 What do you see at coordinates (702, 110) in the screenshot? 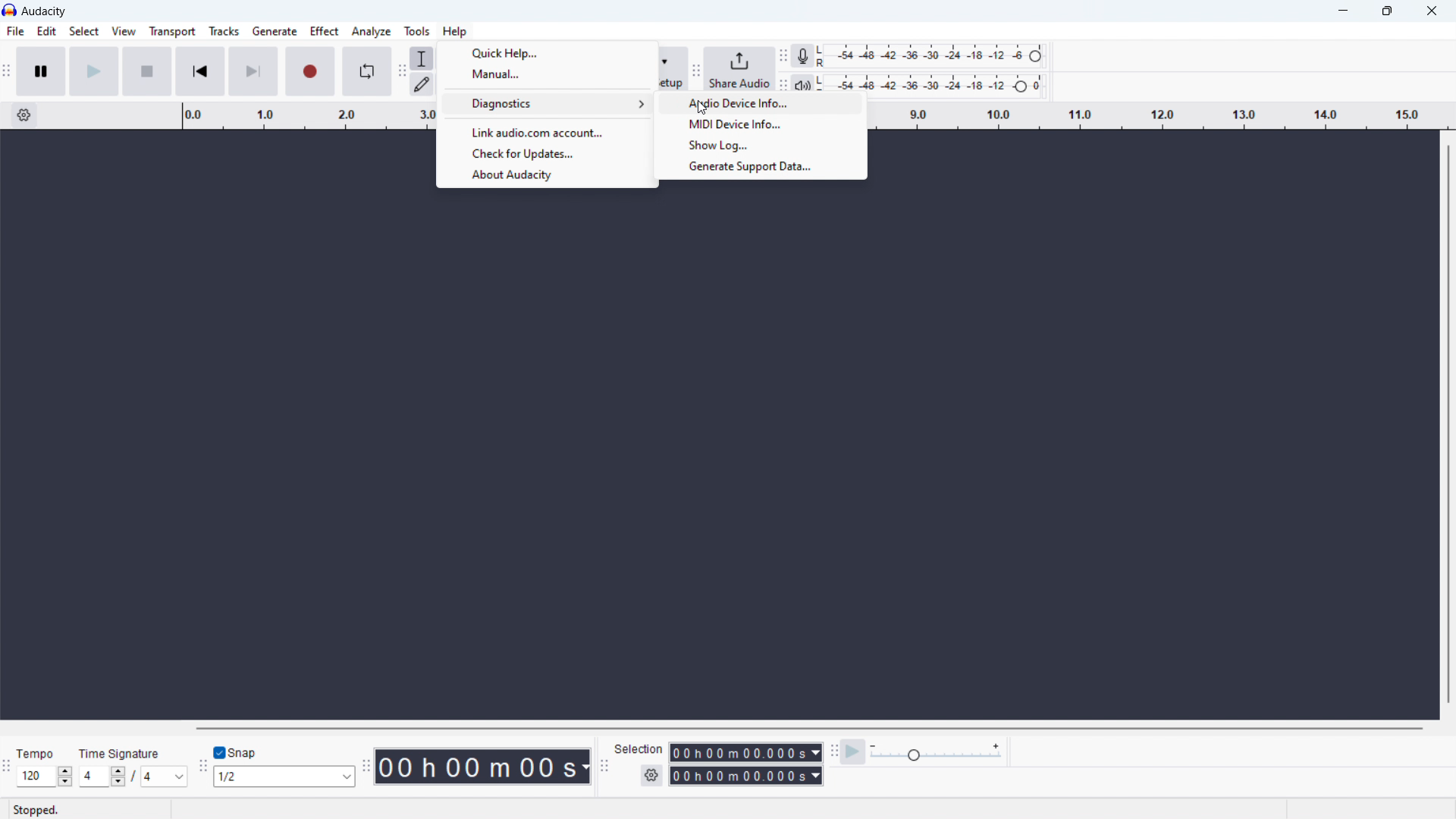
I see `cursor` at bounding box center [702, 110].